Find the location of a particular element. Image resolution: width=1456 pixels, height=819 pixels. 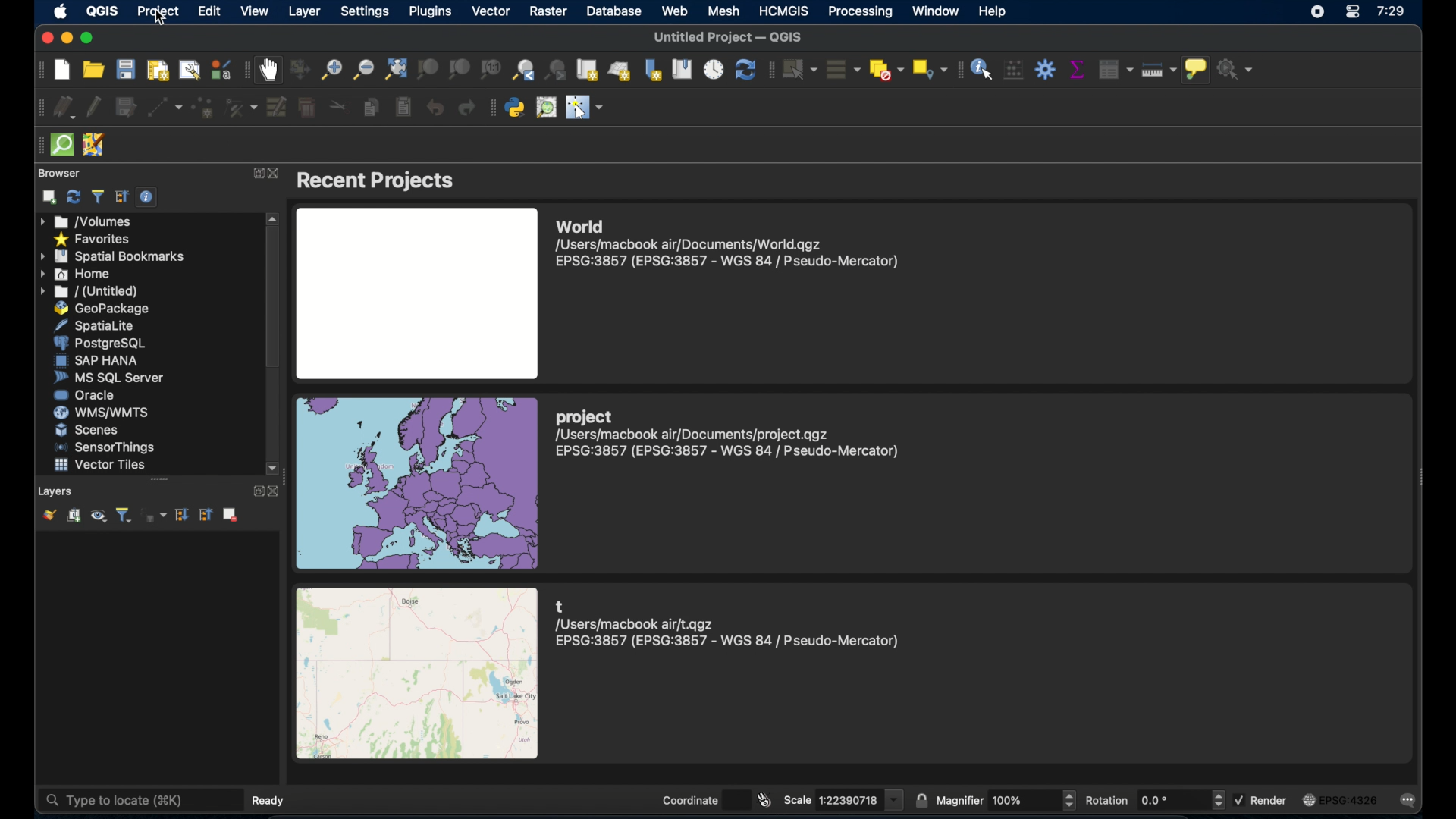

magnifier value is located at coordinates (1025, 800).